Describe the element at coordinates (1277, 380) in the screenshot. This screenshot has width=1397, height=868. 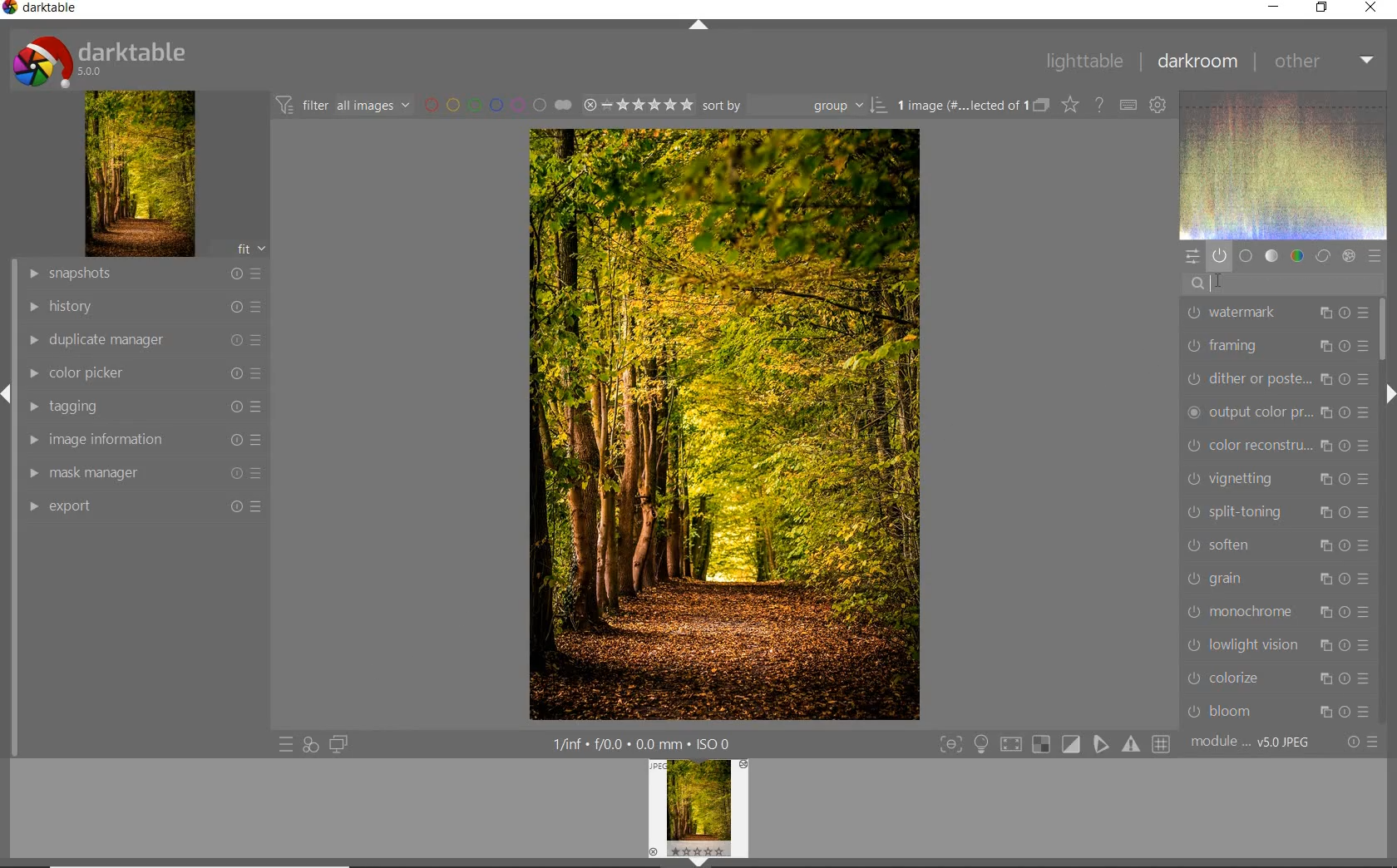
I see `dither or paste` at that location.